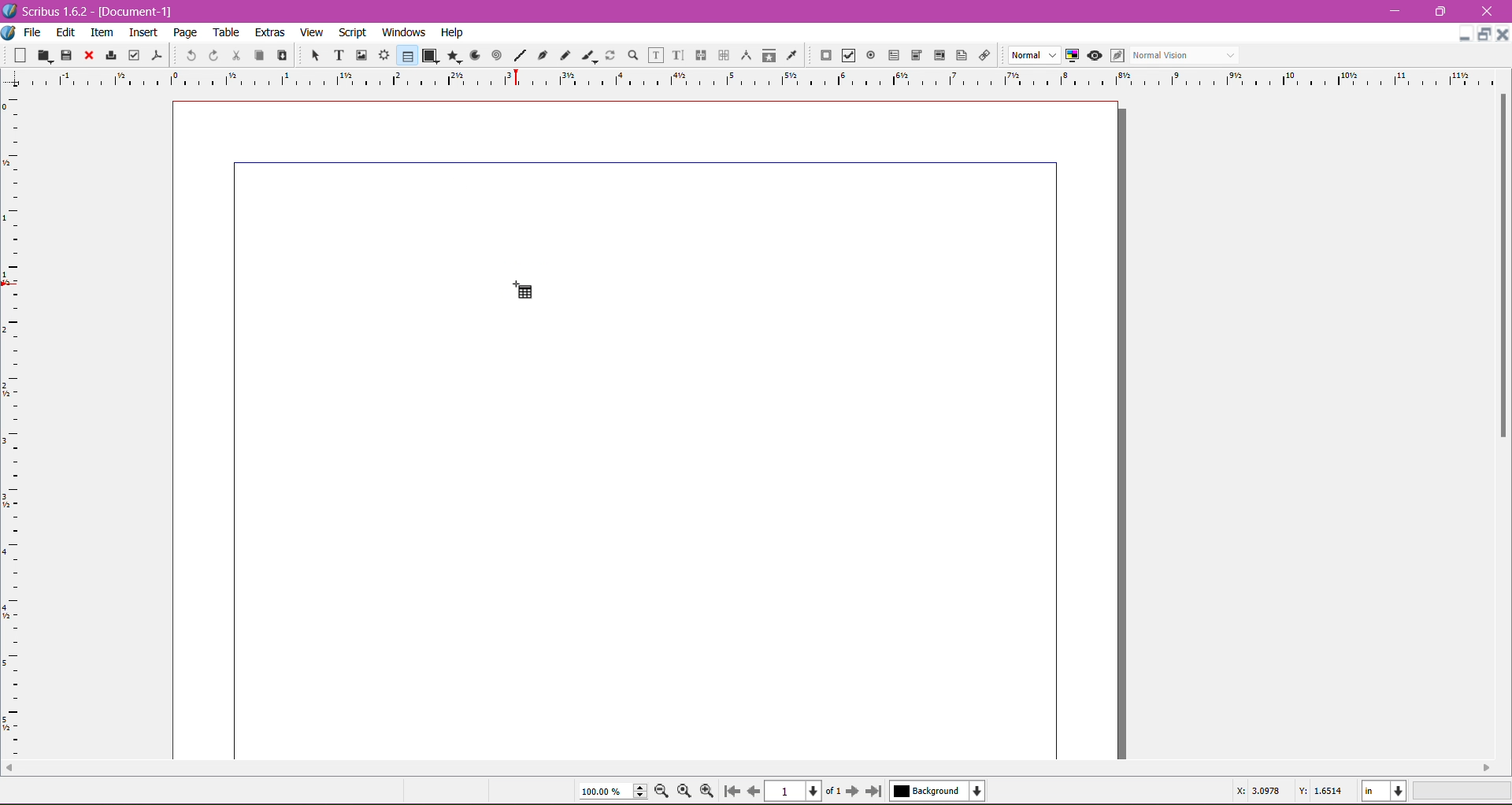  What do you see at coordinates (233, 54) in the screenshot?
I see `Cut` at bounding box center [233, 54].